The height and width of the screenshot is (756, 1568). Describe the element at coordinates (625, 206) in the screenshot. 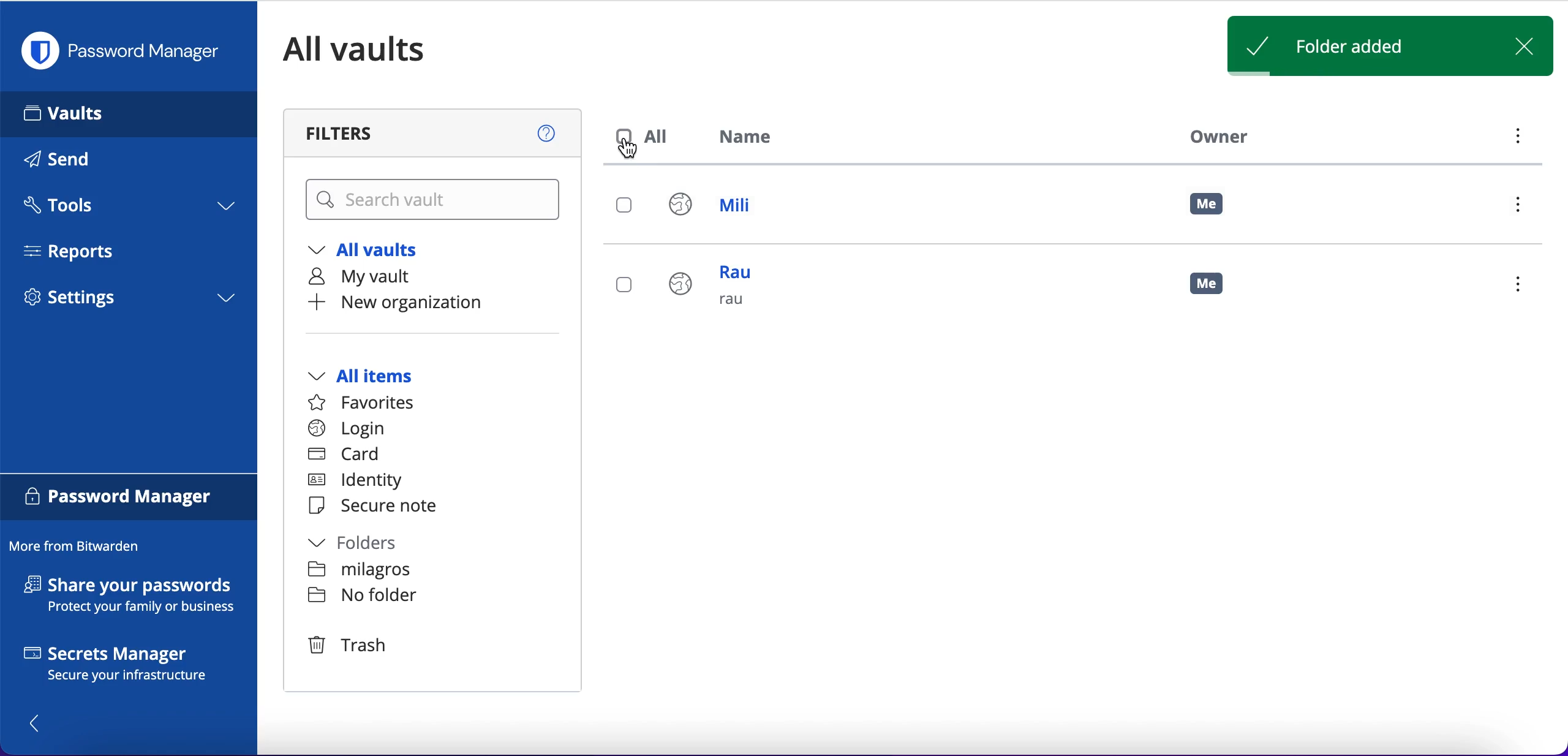

I see `select login mili` at that location.